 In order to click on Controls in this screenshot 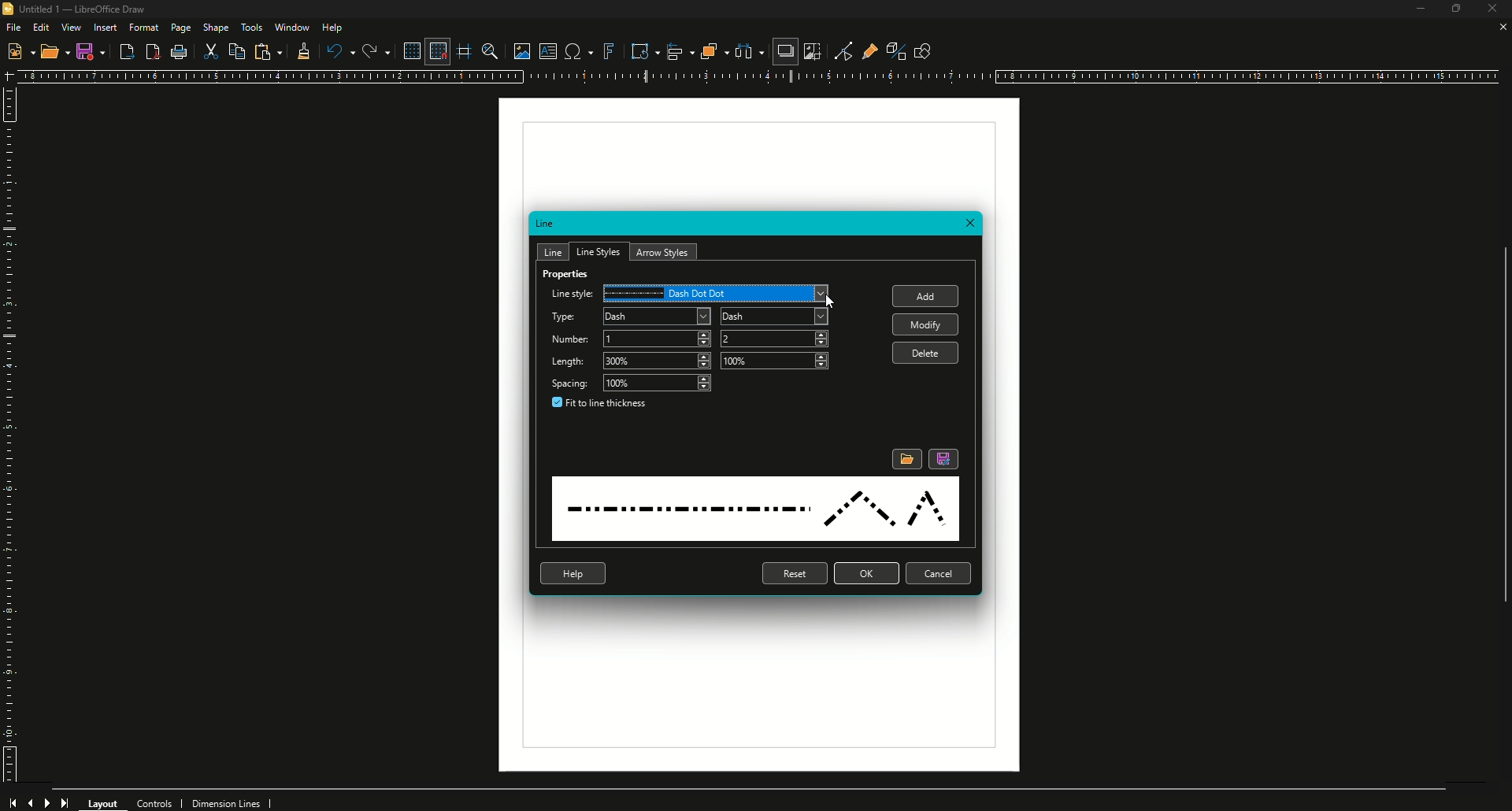, I will do `click(159, 802)`.